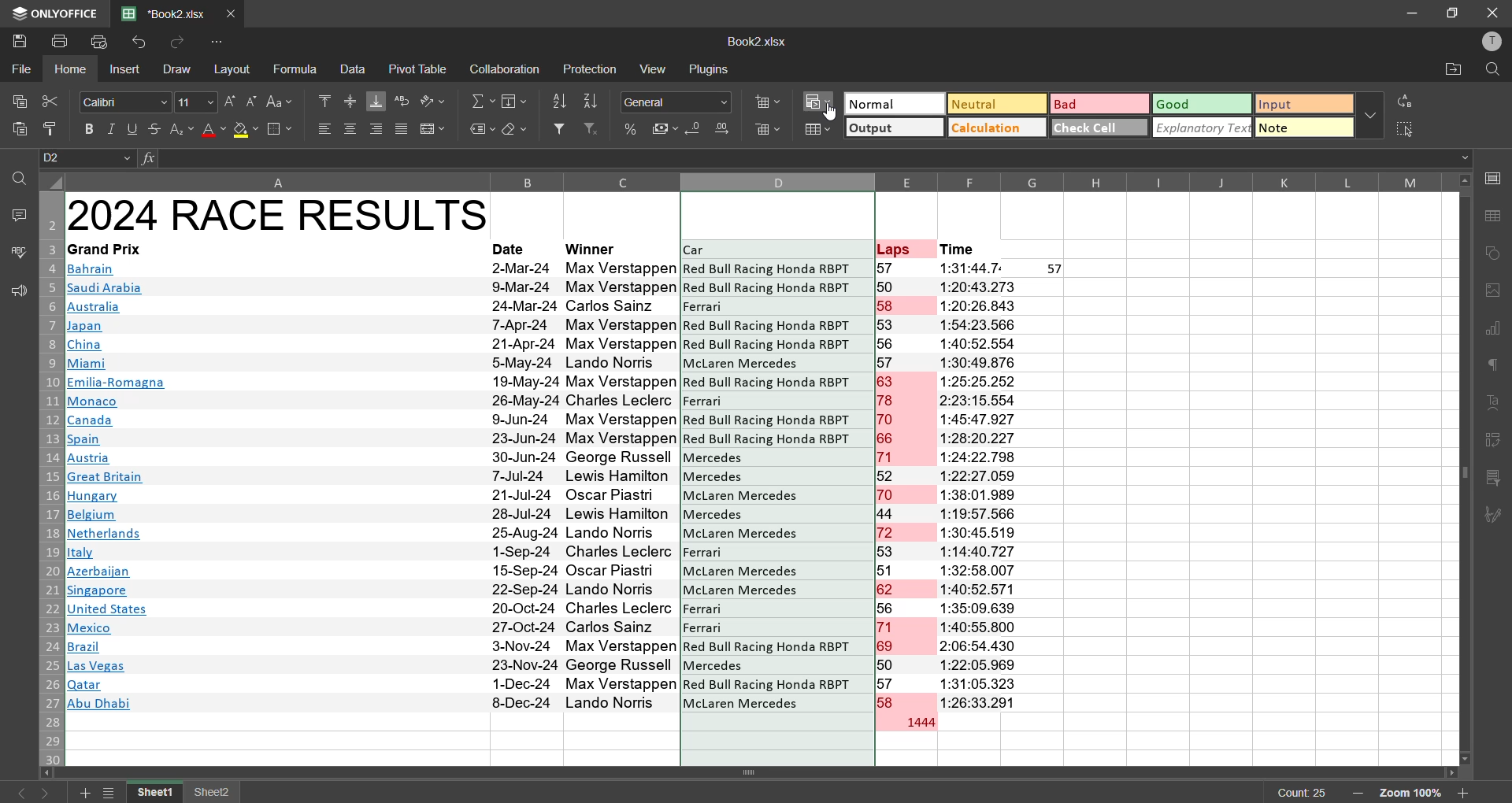 This screenshot has height=803, width=1512. Describe the element at coordinates (20, 132) in the screenshot. I see `paste` at that location.